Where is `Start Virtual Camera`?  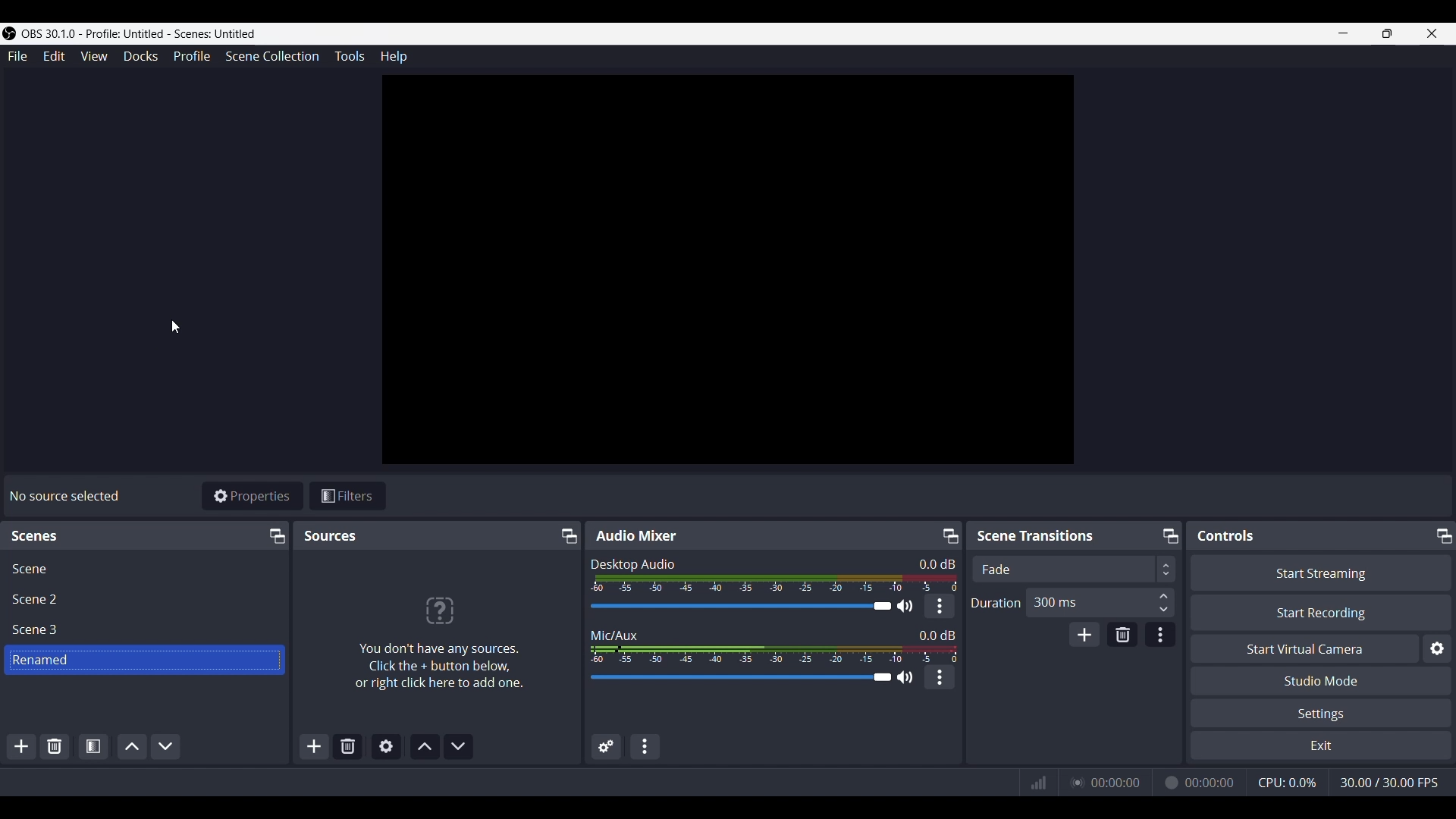
Start Virtual Camera is located at coordinates (1304, 649).